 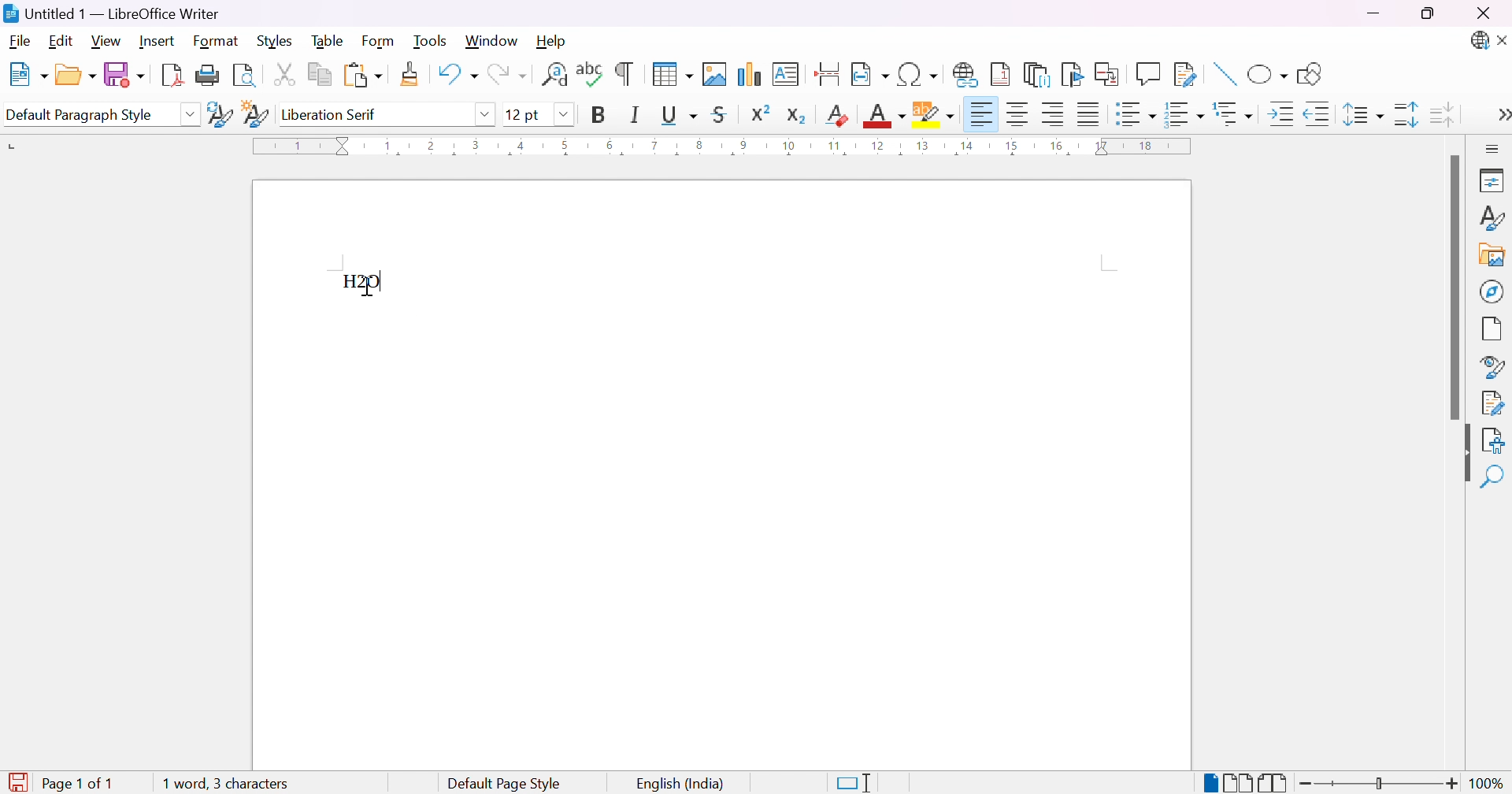 I want to click on Check spelling, so click(x=591, y=74).